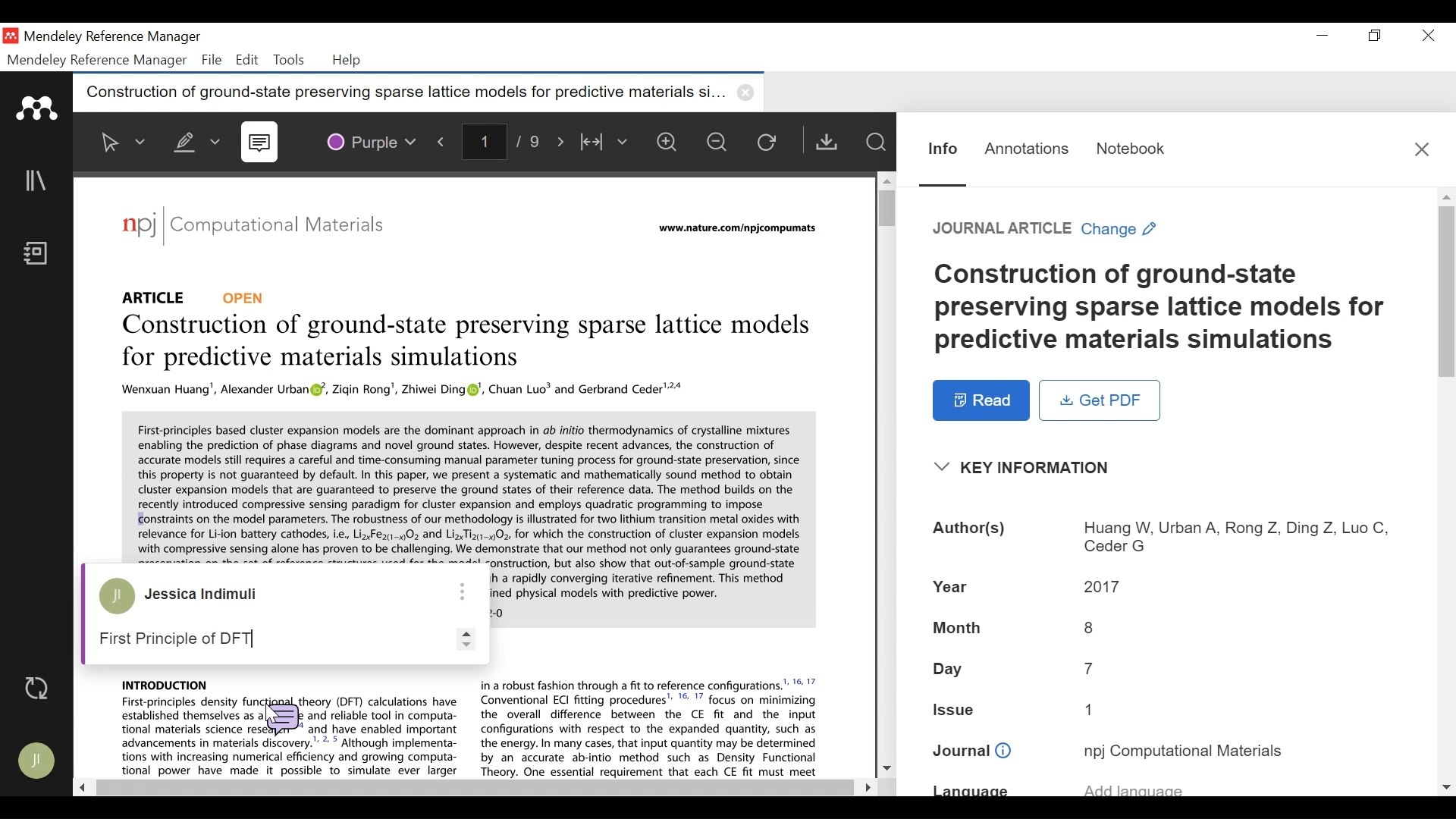  I want to click on Vertical Scroll bar, so click(1447, 293).